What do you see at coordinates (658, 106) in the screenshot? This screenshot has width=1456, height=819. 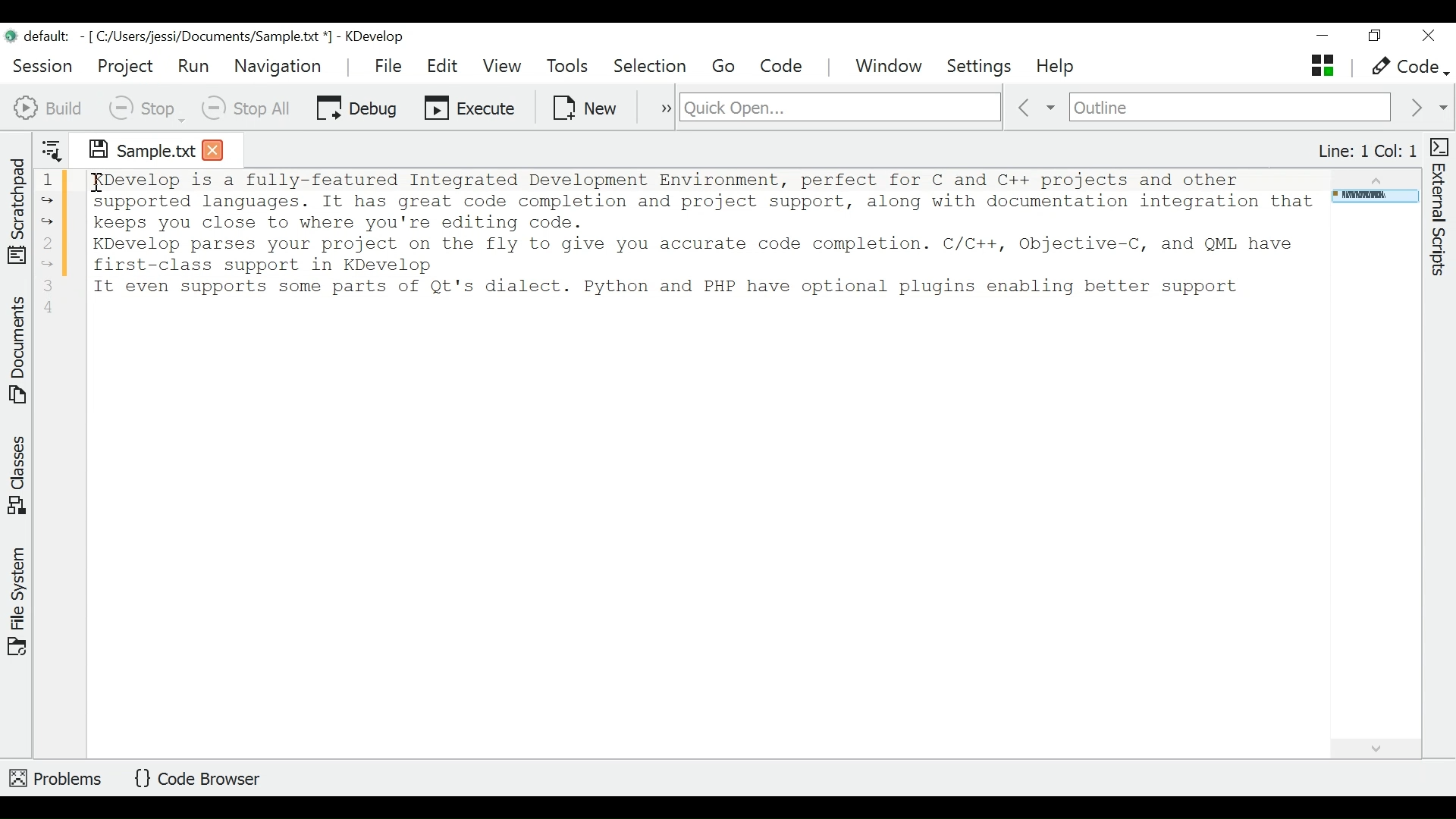 I see `more options` at bounding box center [658, 106].